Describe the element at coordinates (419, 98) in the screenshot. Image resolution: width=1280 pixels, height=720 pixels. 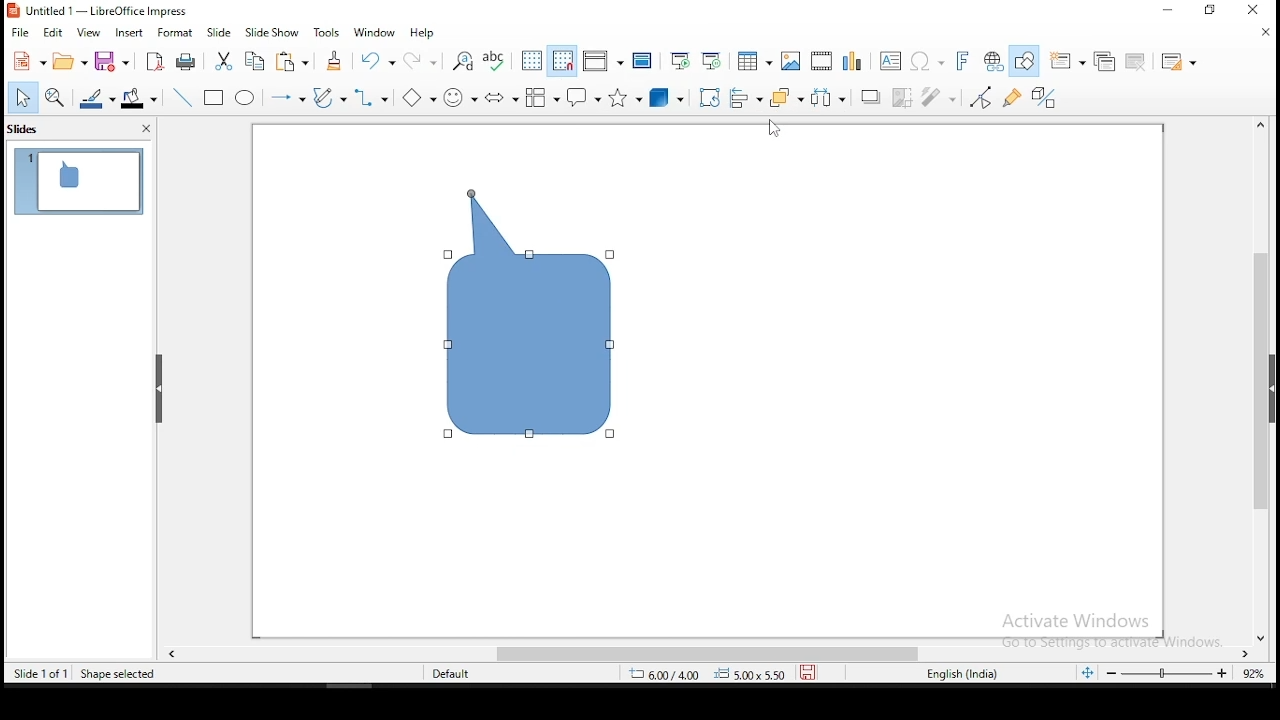
I see `basic shapes` at that location.